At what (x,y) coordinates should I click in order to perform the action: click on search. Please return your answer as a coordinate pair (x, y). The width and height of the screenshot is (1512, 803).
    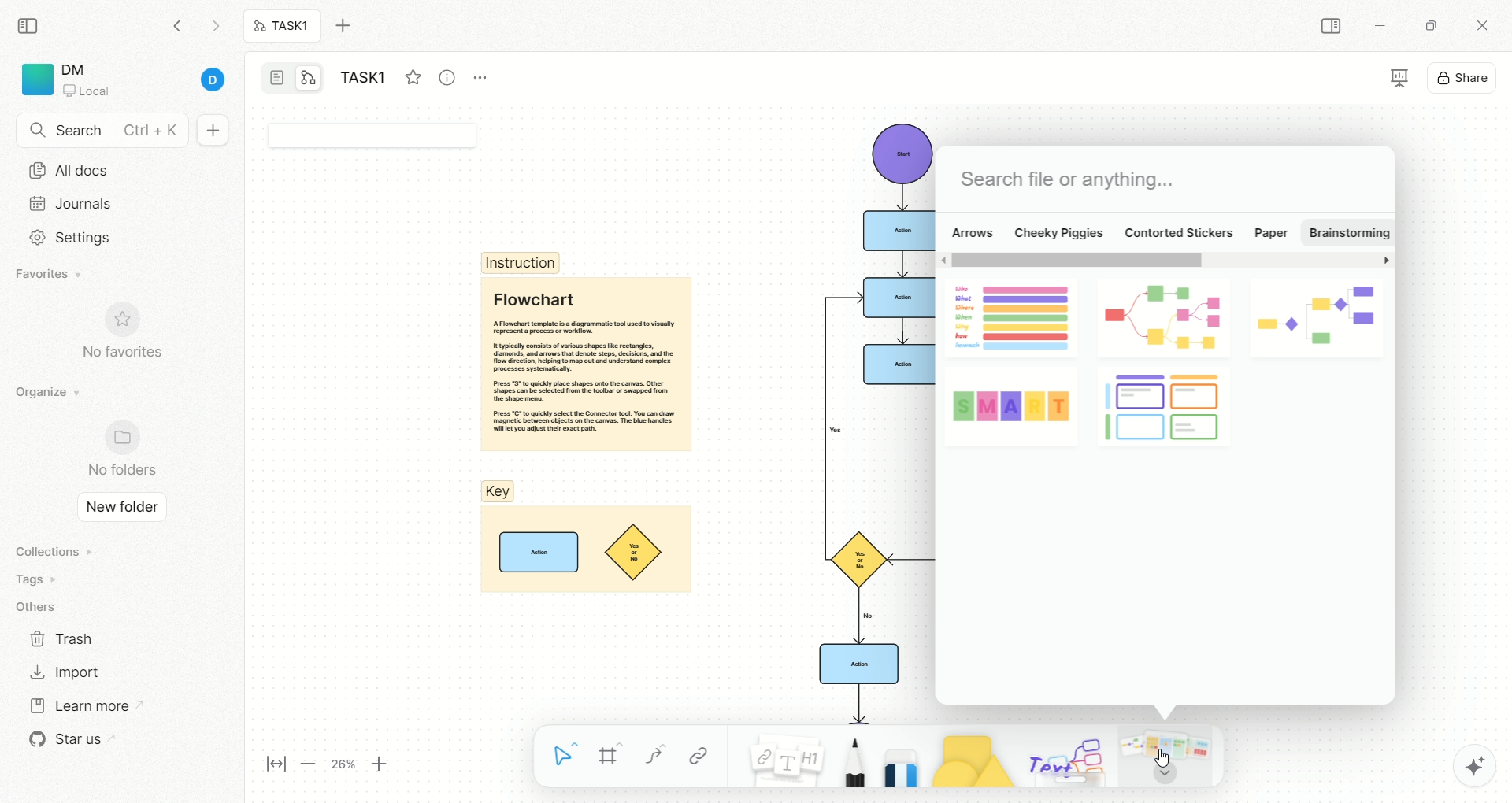
    Looking at the image, I should click on (102, 131).